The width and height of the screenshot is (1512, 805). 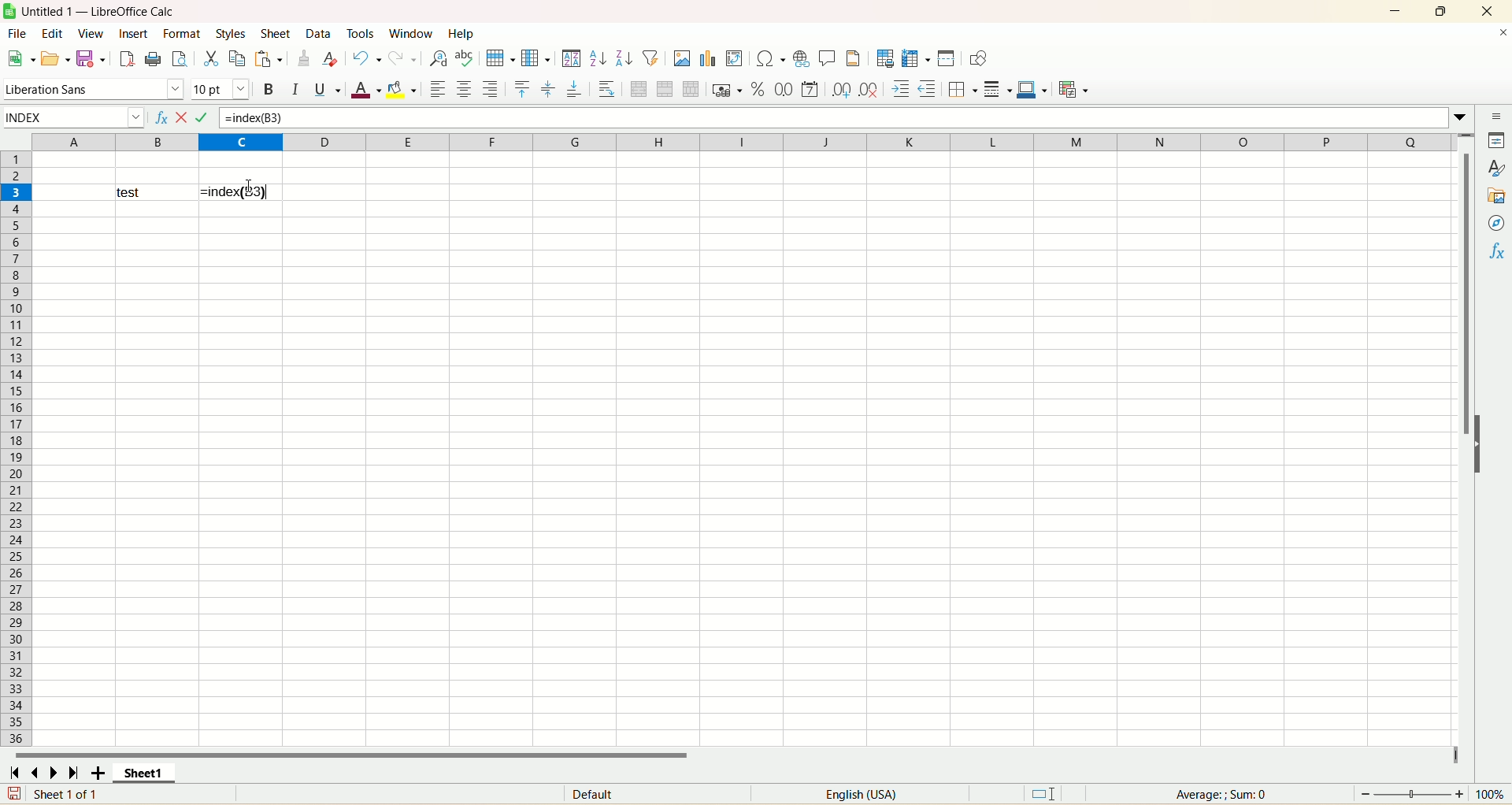 What do you see at coordinates (402, 58) in the screenshot?
I see `redo` at bounding box center [402, 58].